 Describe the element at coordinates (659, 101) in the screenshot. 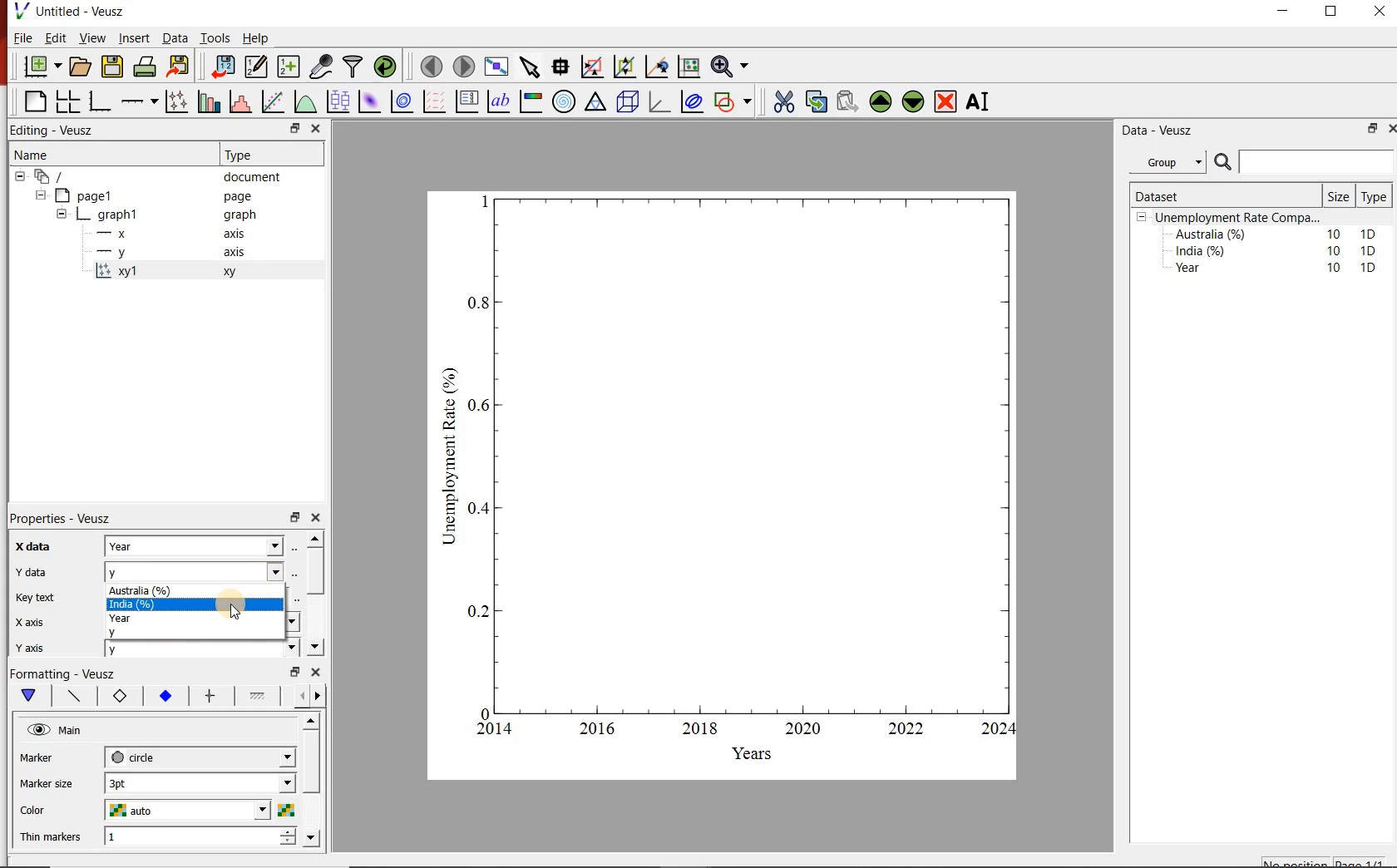

I see `3d graphs` at that location.